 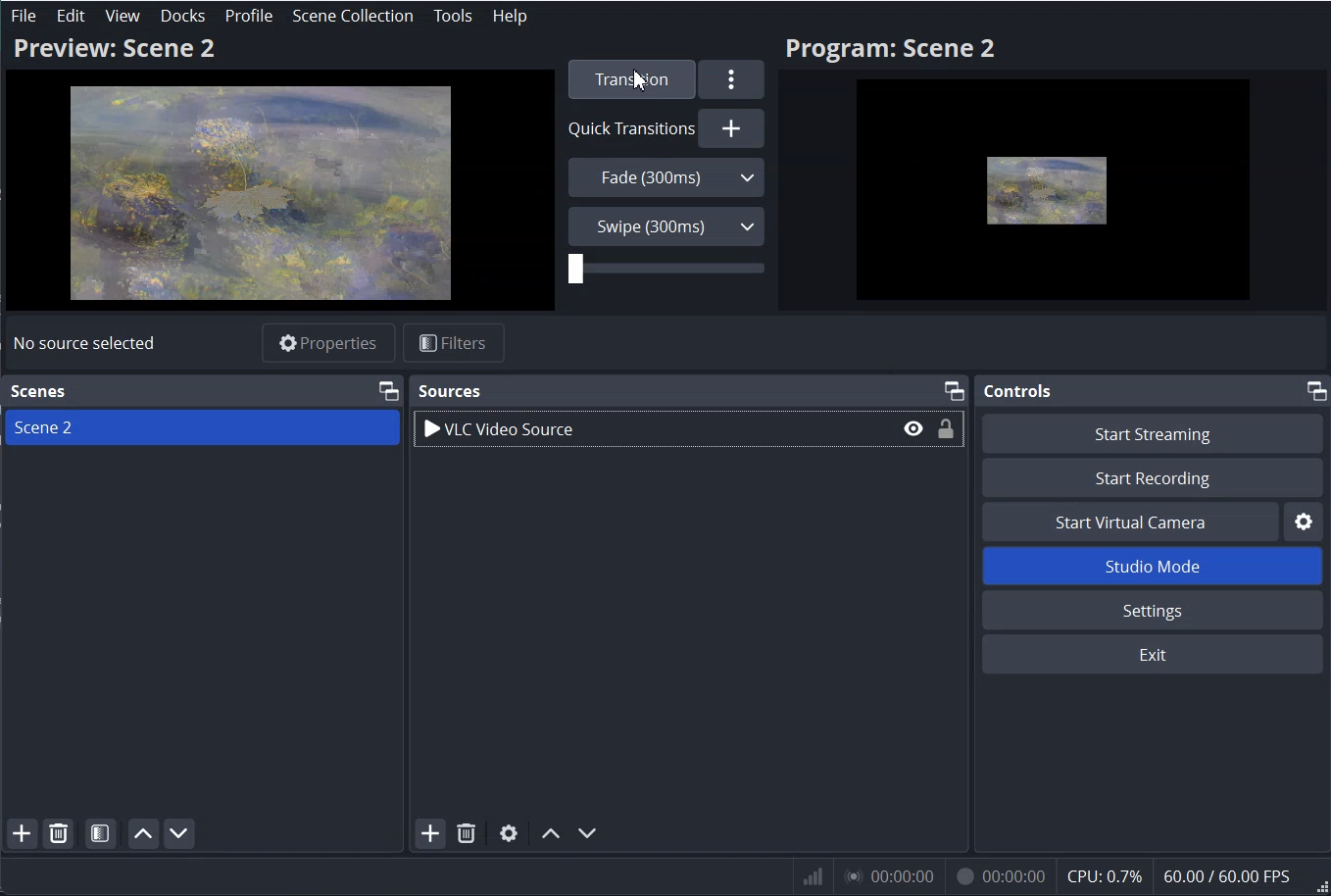 What do you see at coordinates (1156, 610) in the screenshot?
I see `Settings` at bounding box center [1156, 610].